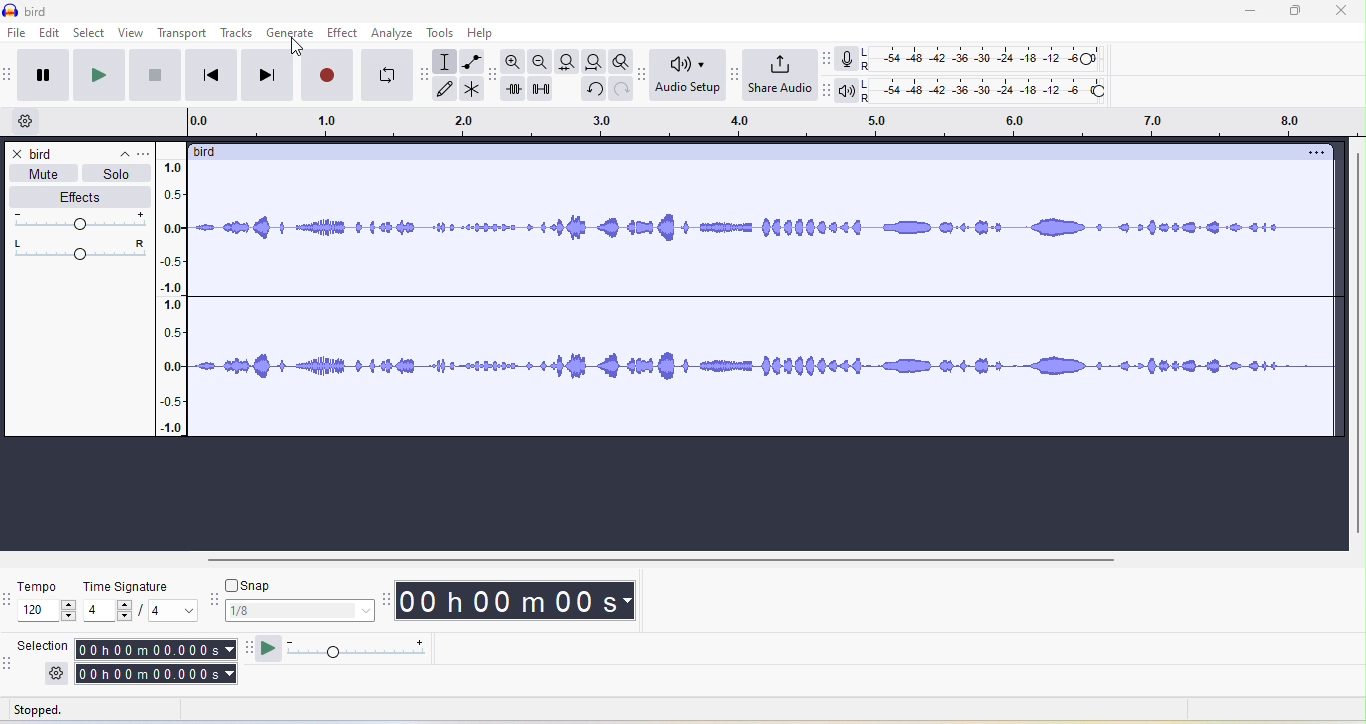 The height and width of the screenshot is (724, 1366). I want to click on file , so click(18, 32).